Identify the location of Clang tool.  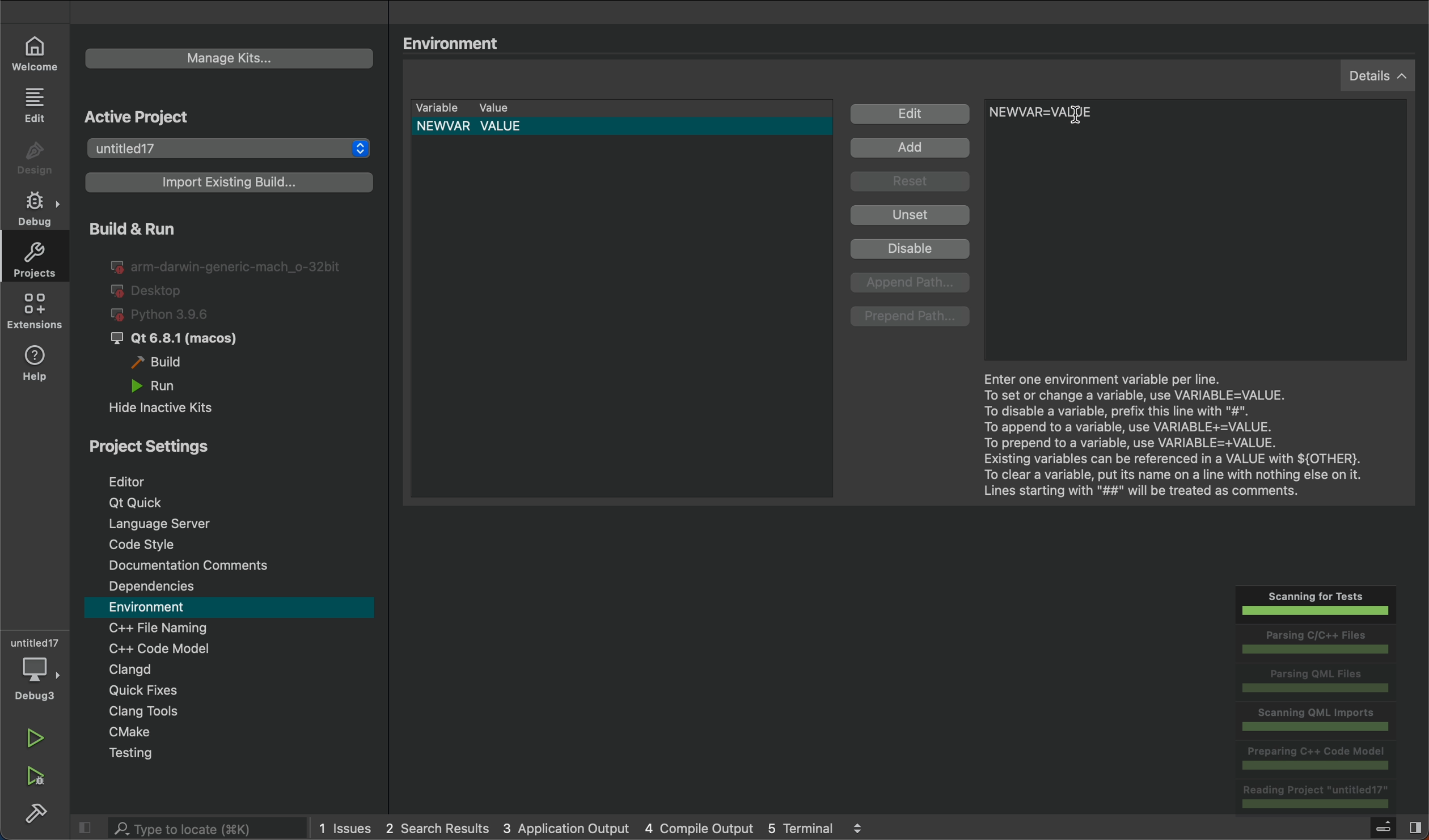
(238, 712).